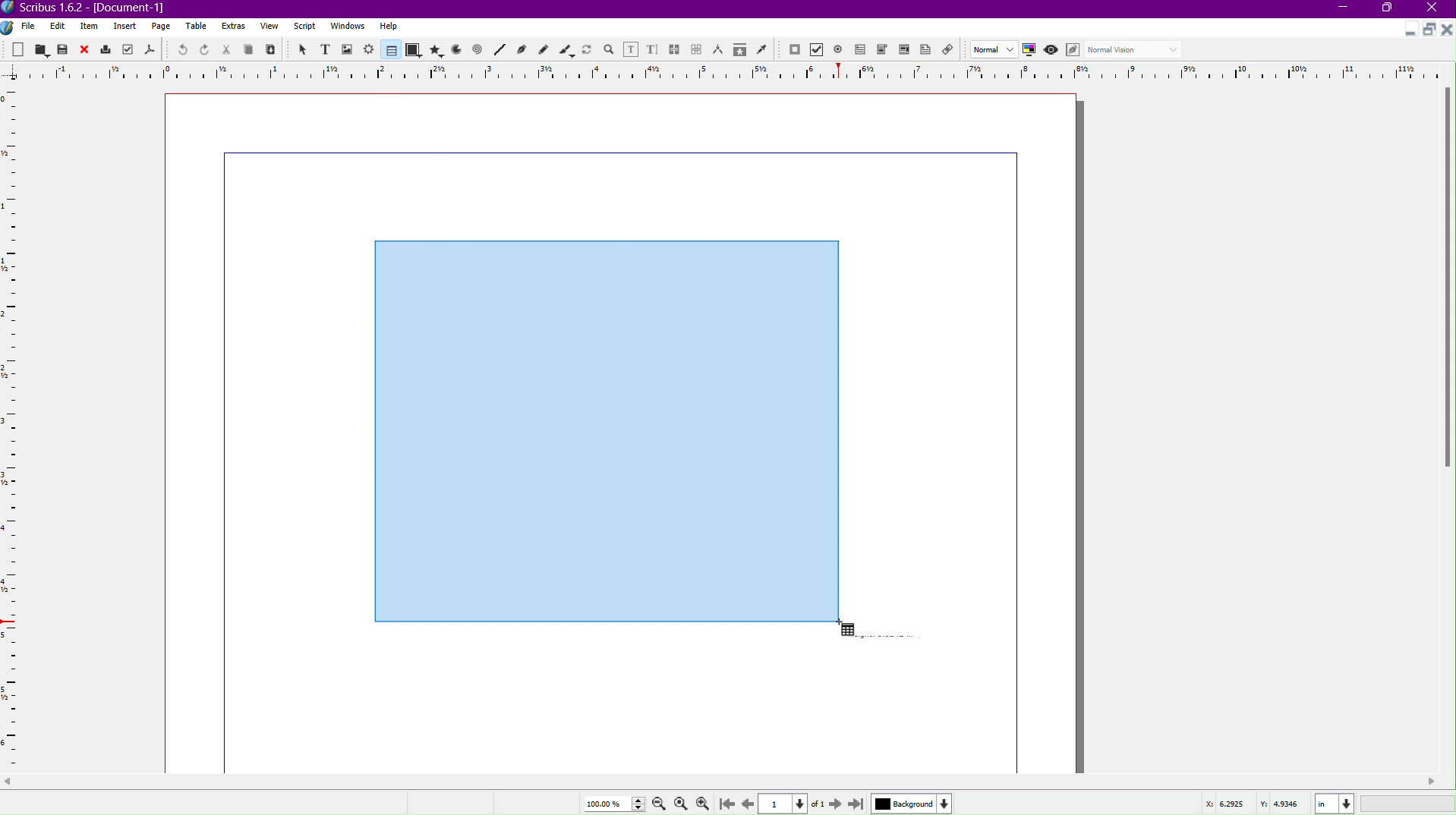 The image size is (1456, 815). I want to click on Table, so click(198, 27).